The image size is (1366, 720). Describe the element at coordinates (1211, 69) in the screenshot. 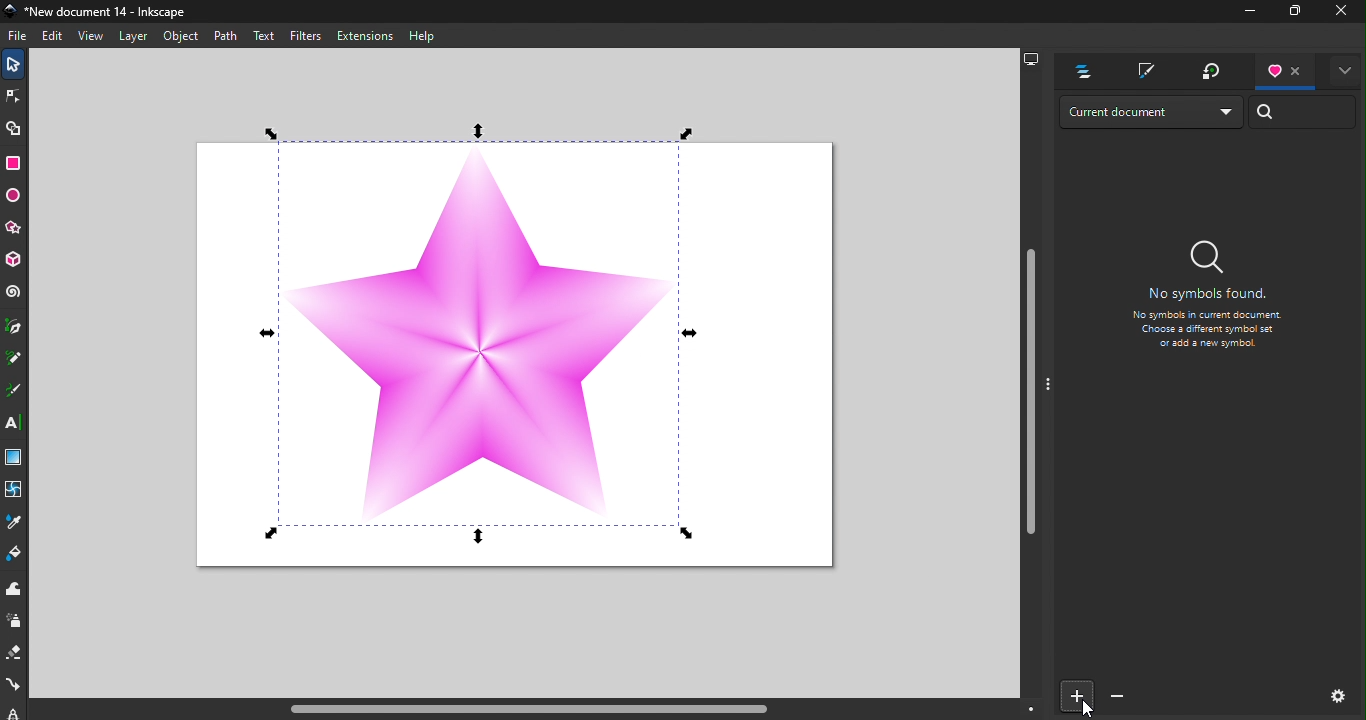

I see `Transform` at that location.